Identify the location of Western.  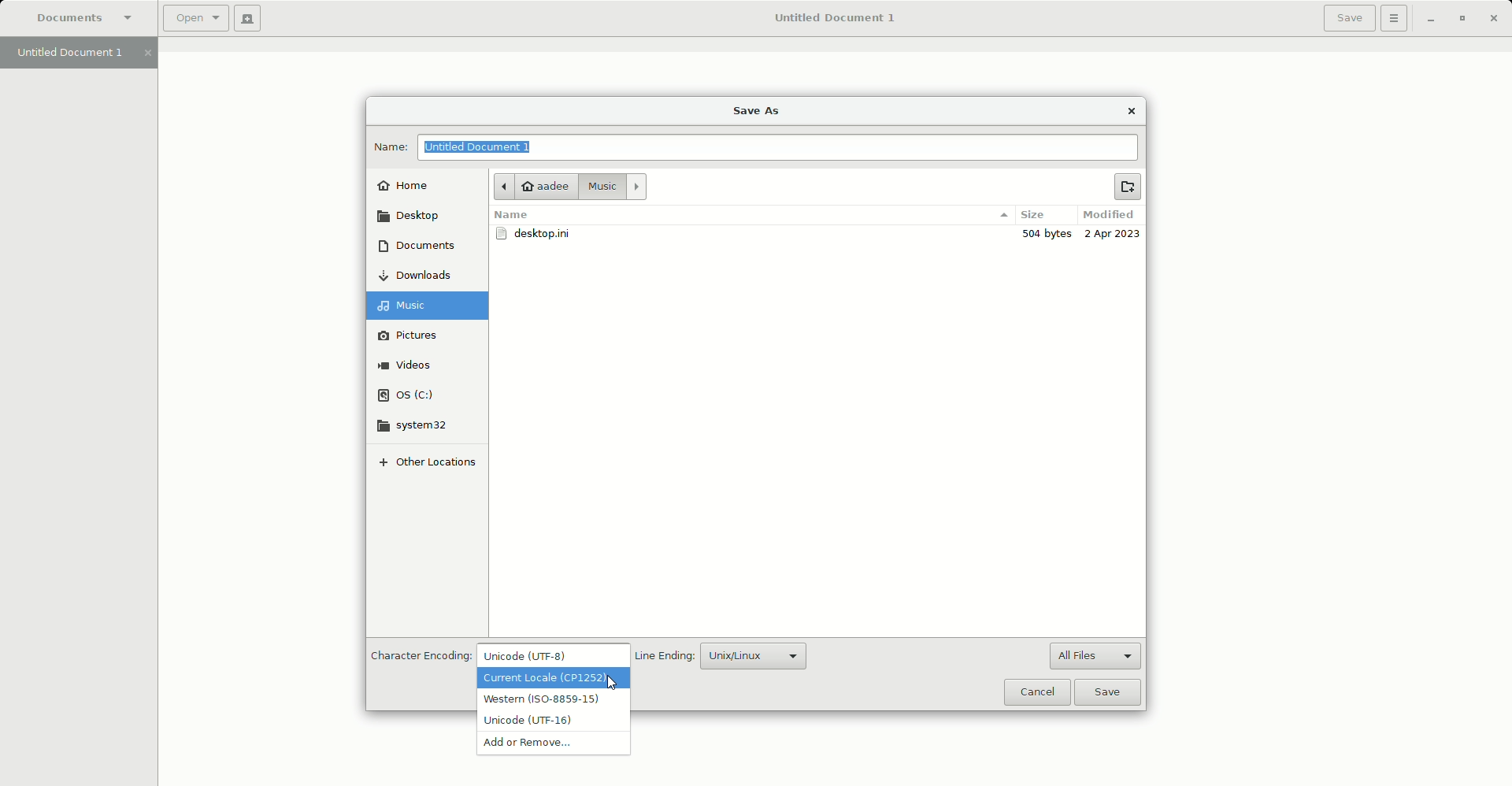
(551, 701).